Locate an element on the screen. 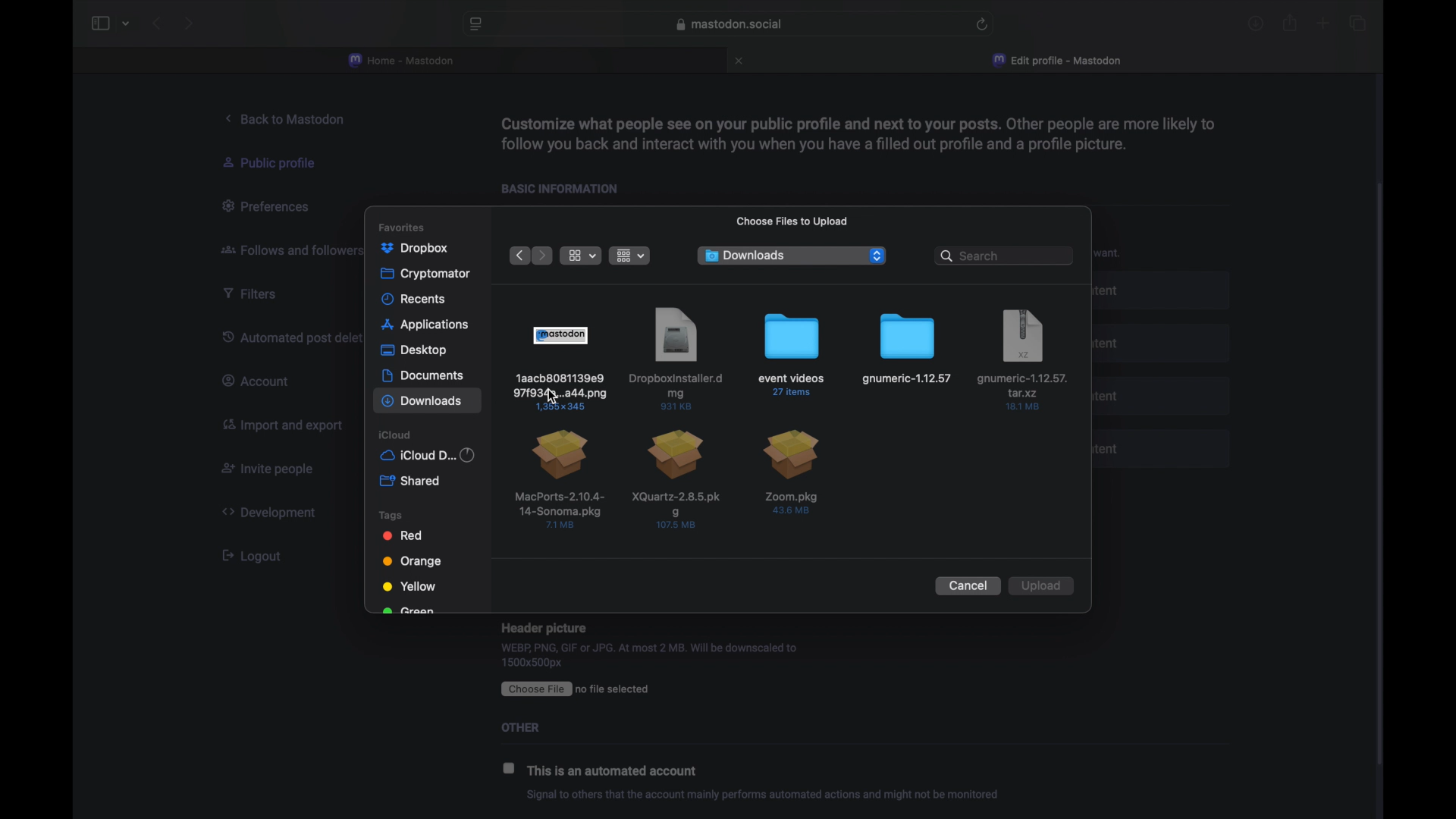 The image size is (1456, 819). file is located at coordinates (678, 479).